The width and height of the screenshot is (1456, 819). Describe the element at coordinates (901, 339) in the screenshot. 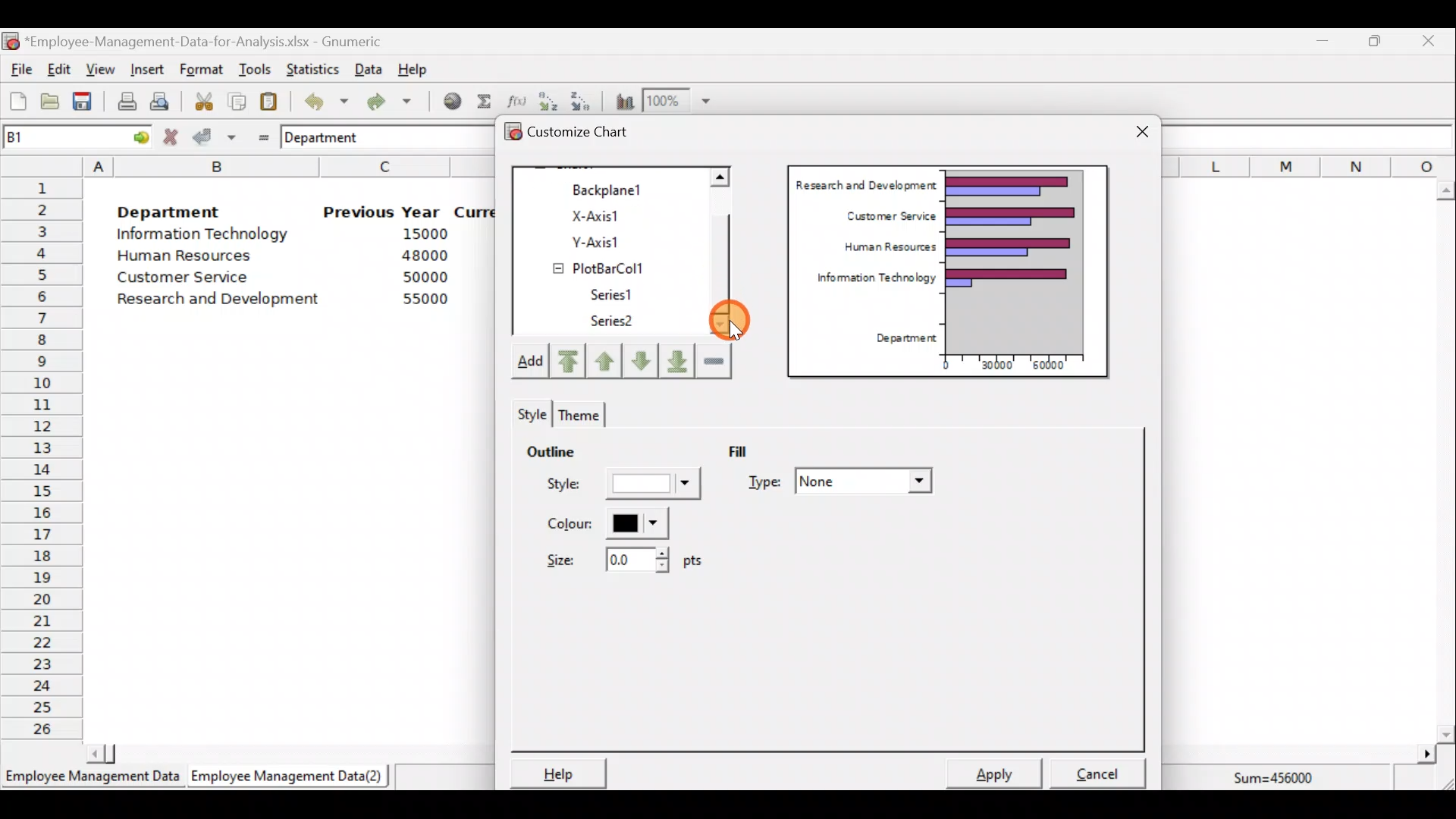

I see `Department` at that location.